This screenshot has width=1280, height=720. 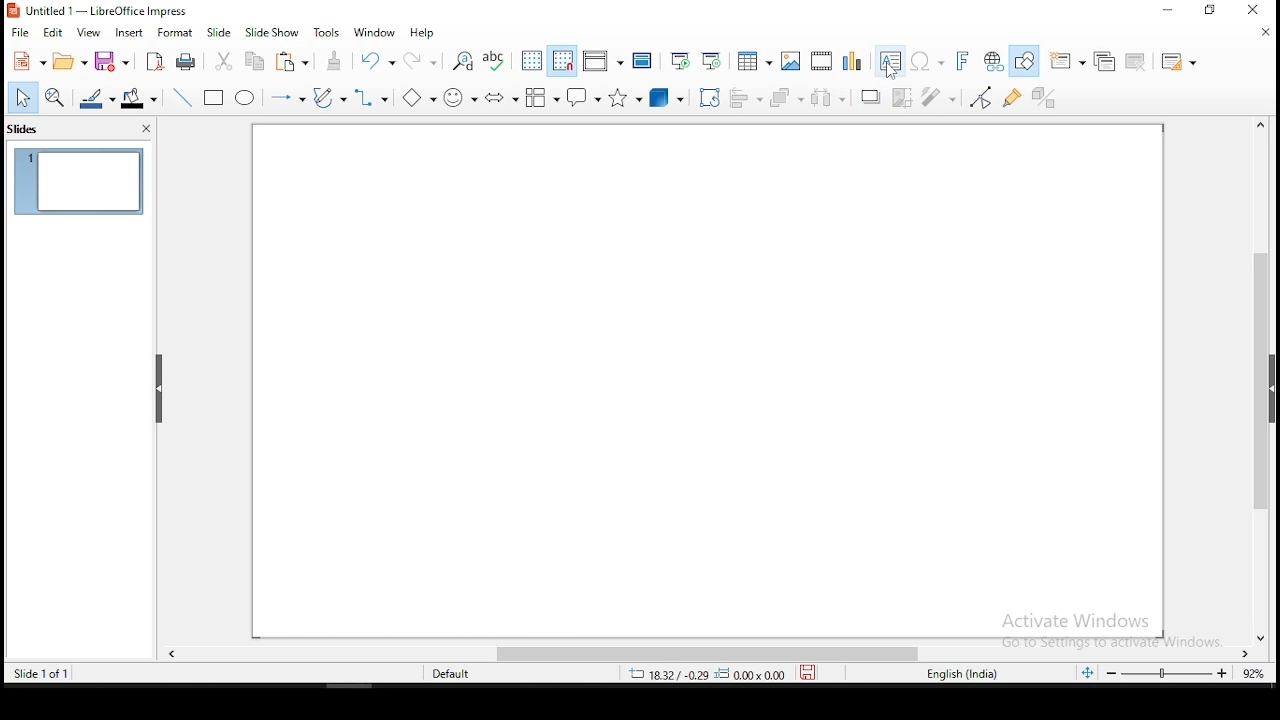 I want to click on symbol shapes, so click(x=461, y=95).